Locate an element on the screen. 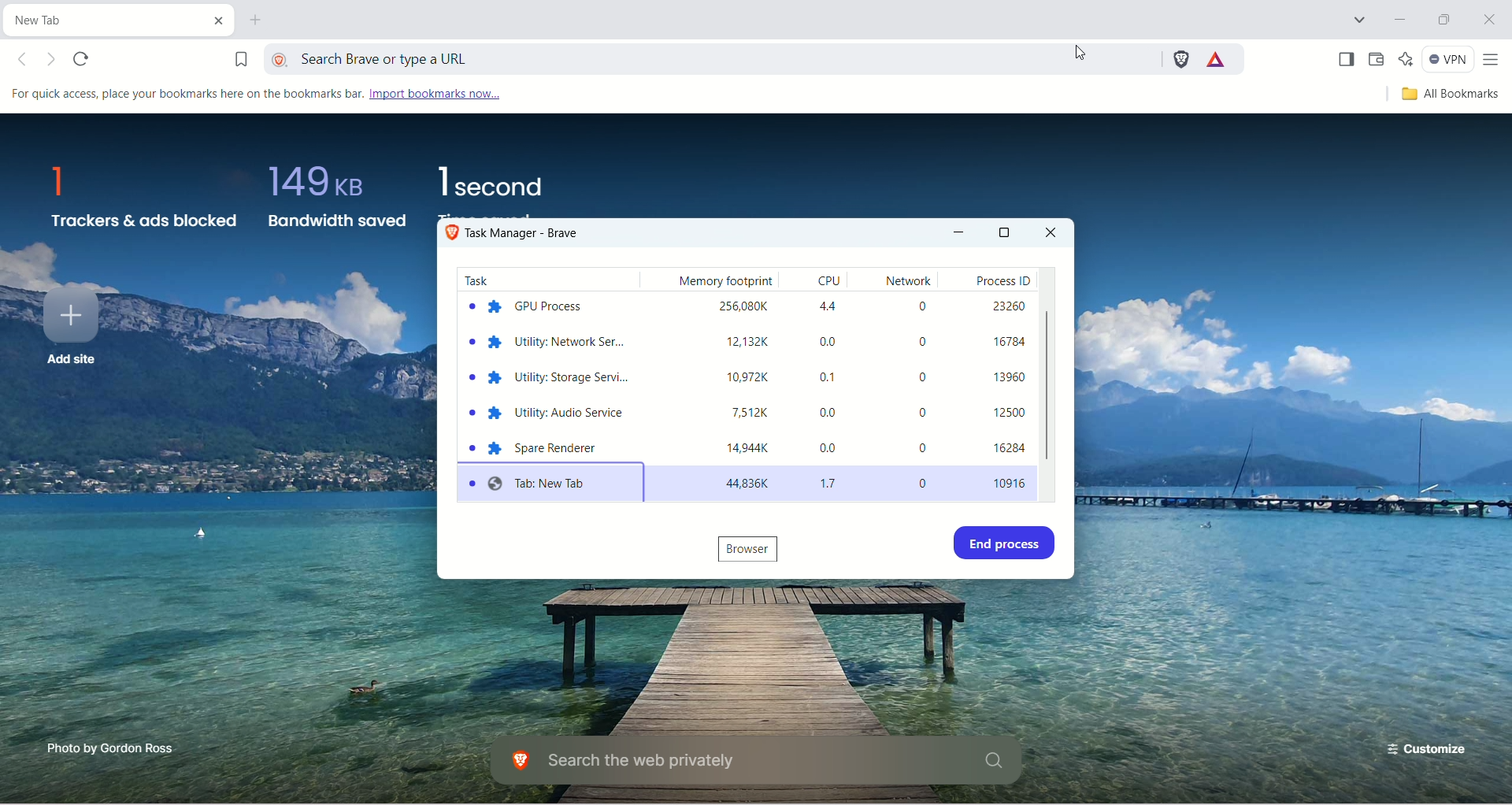 The width and height of the screenshot is (1512, 805). minimize is located at coordinates (1395, 18).